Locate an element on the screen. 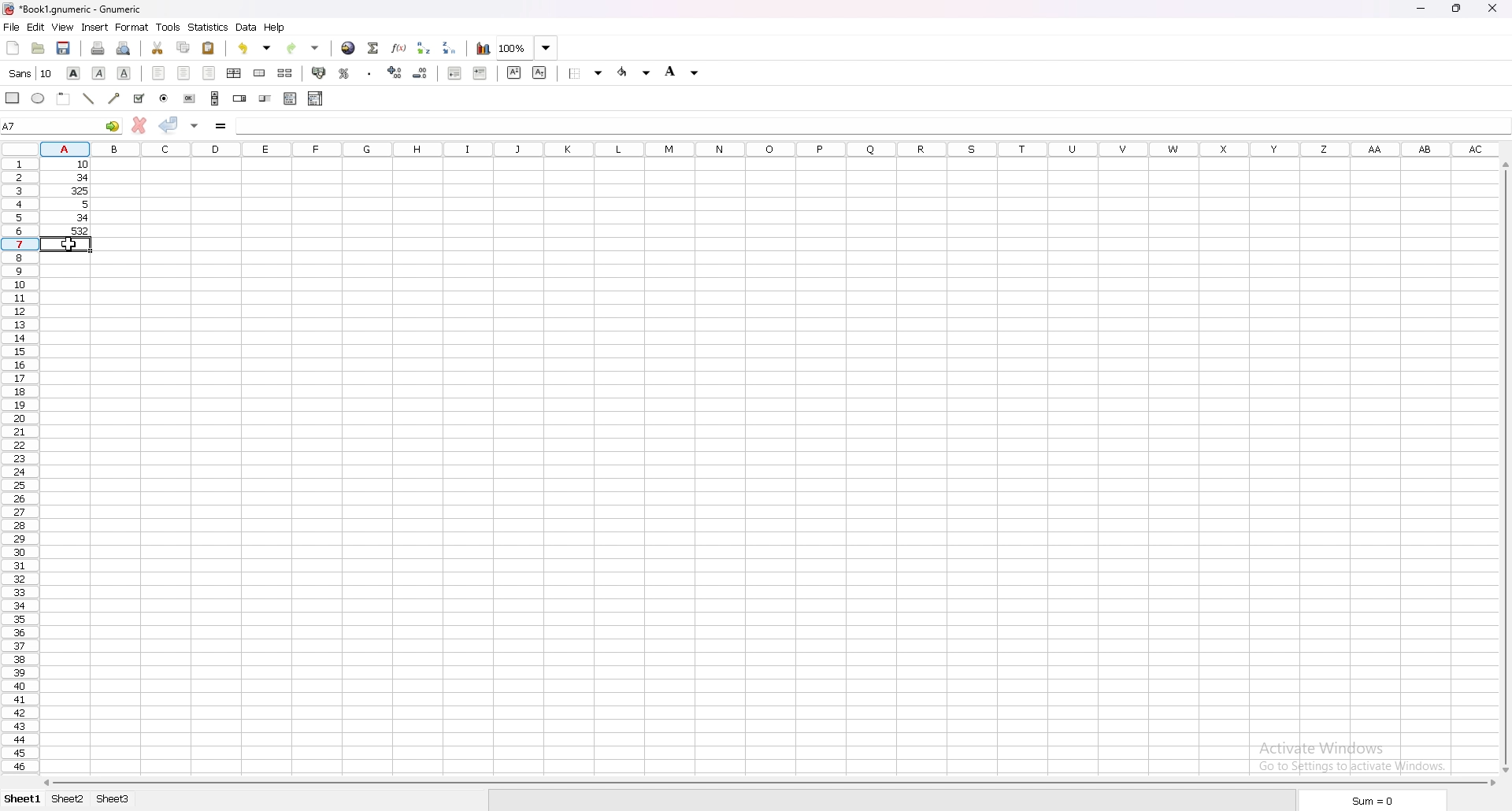  underline is located at coordinates (124, 72).